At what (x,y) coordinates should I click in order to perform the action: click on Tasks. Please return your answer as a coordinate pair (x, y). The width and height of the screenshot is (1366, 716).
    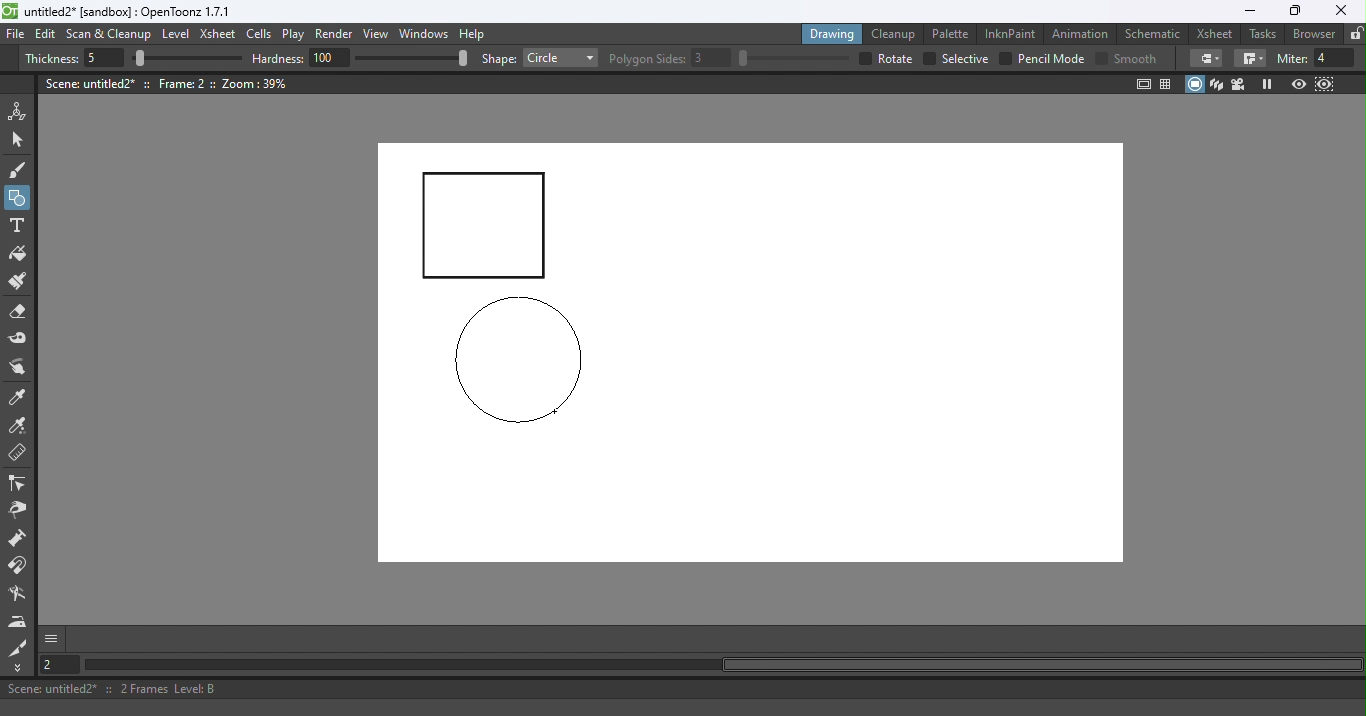
    Looking at the image, I should click on (1264, 34).